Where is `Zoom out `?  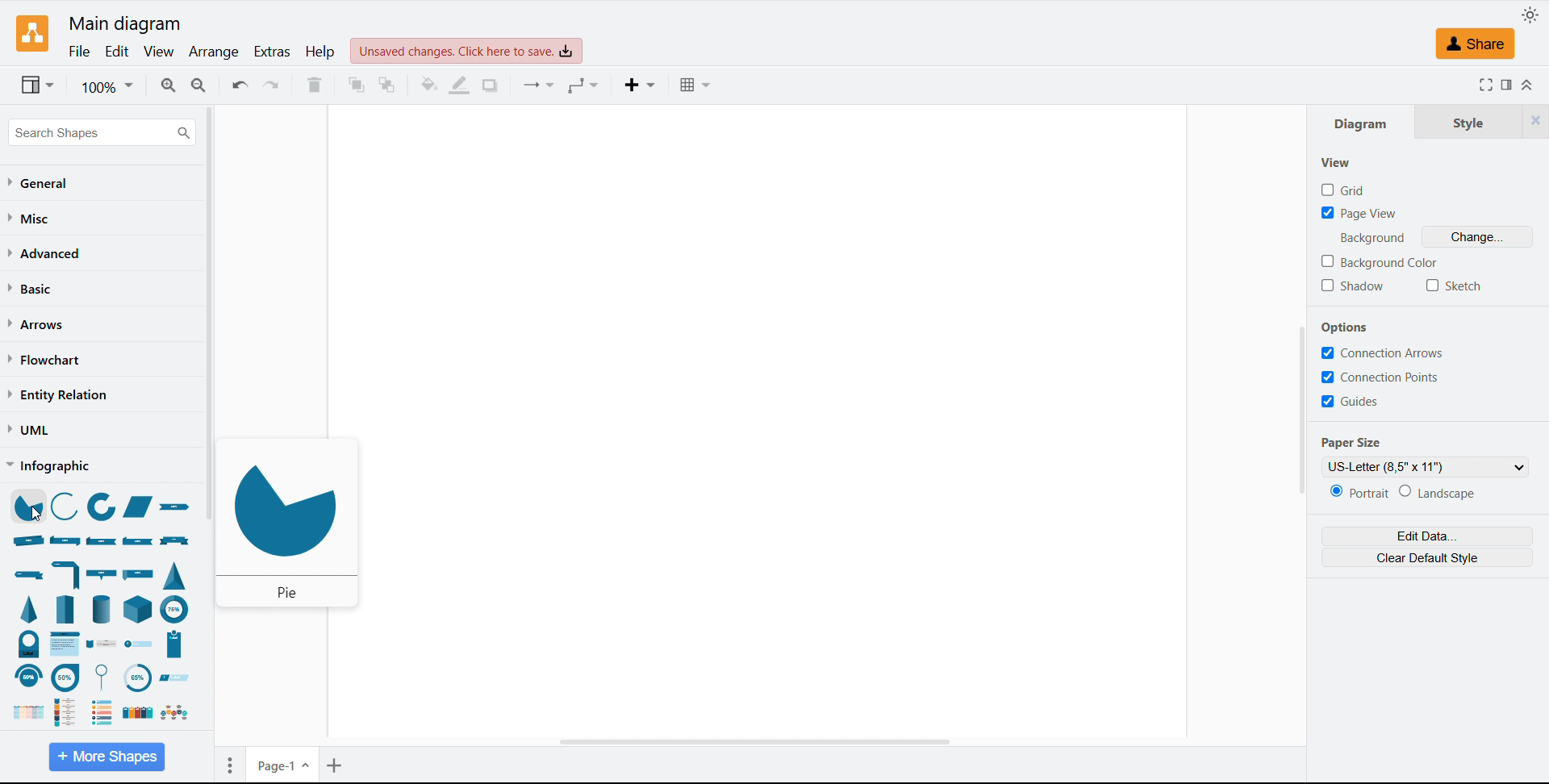
Zoom out  is located at coordinates (201, 85).